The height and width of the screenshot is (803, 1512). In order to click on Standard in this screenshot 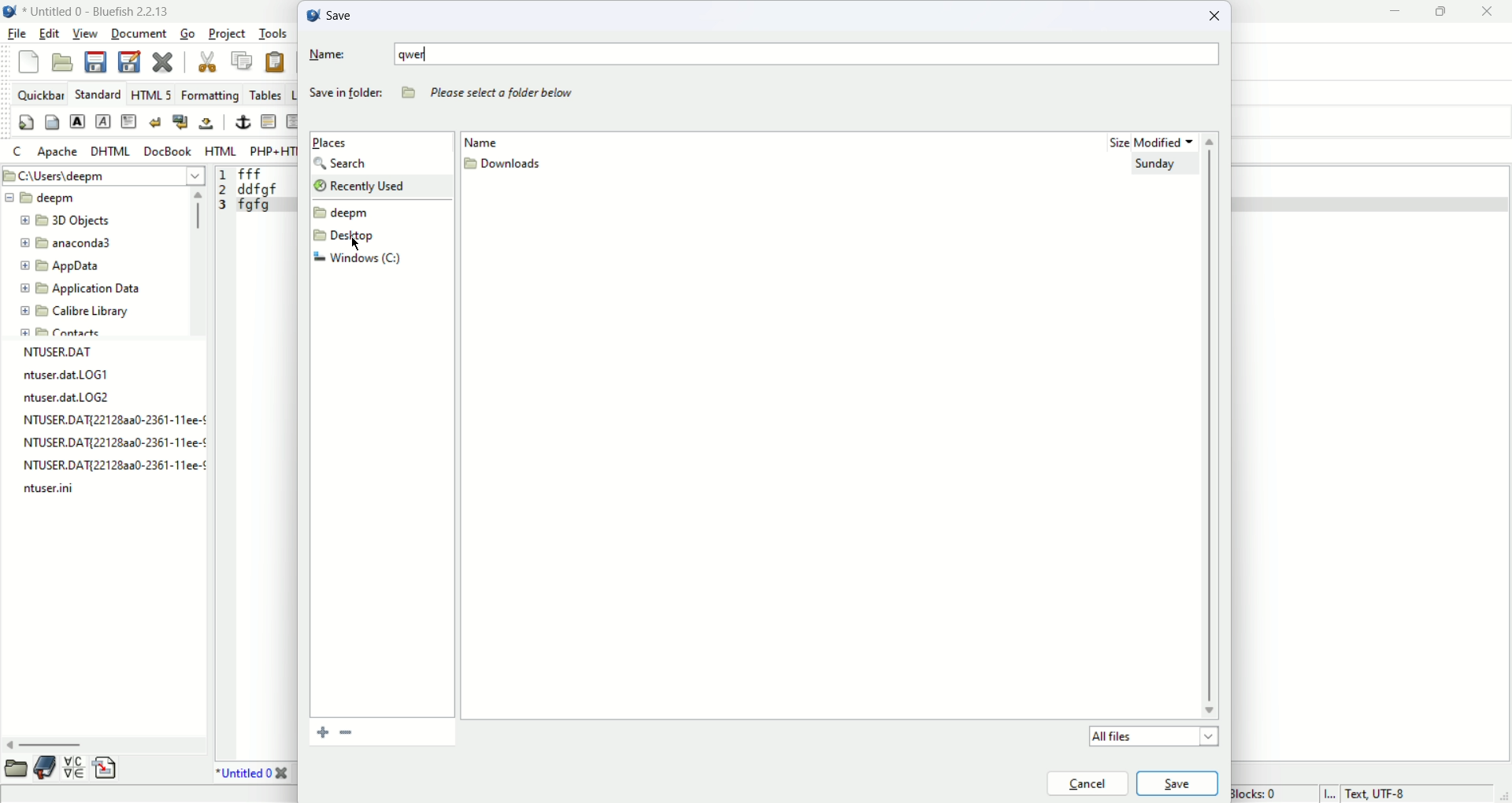, I will do `click(102, 94)`.